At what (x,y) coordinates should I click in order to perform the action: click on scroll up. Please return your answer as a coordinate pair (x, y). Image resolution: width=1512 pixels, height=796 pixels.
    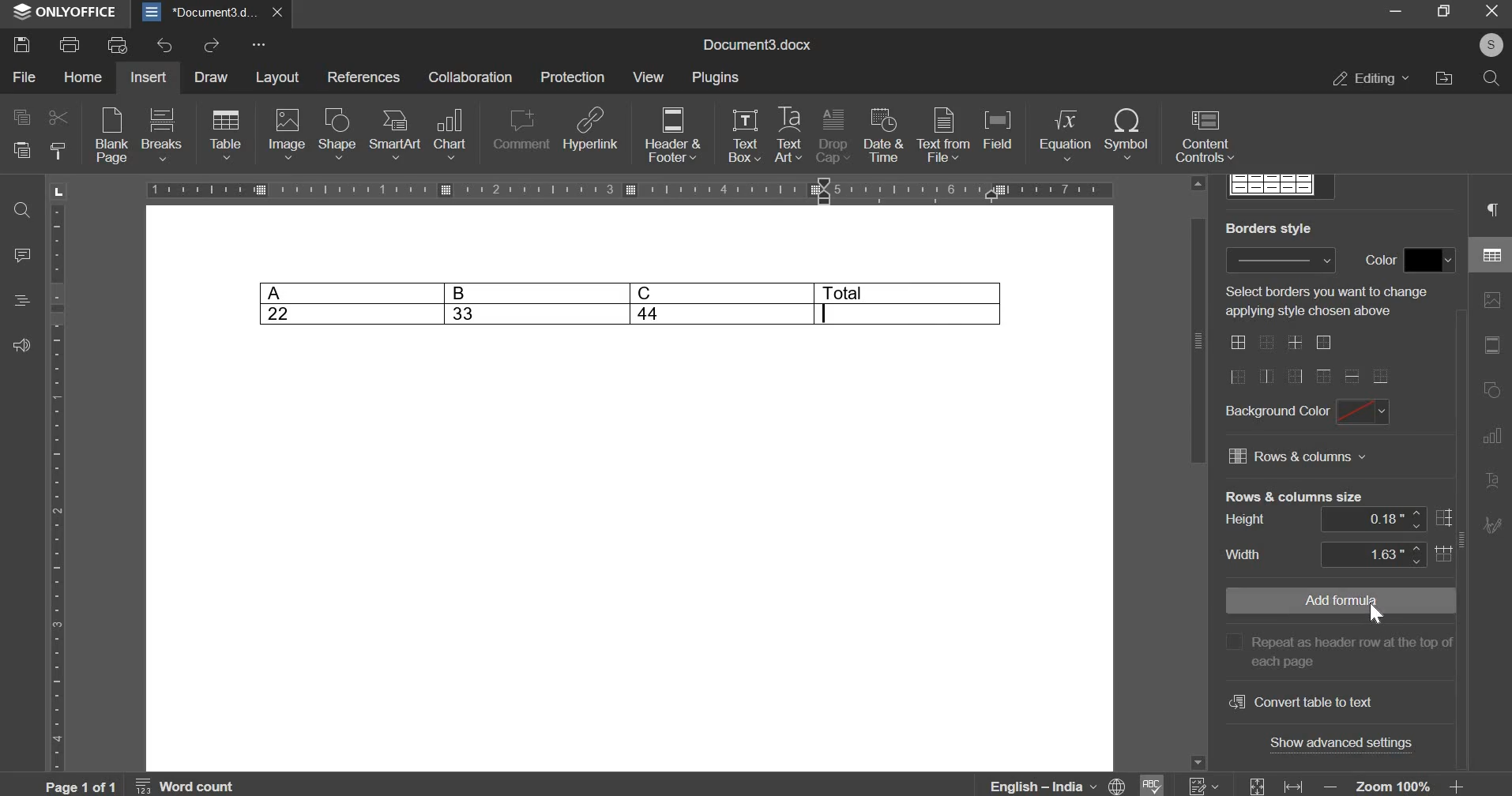
    Looking at the image, I should click on (1199, 183).